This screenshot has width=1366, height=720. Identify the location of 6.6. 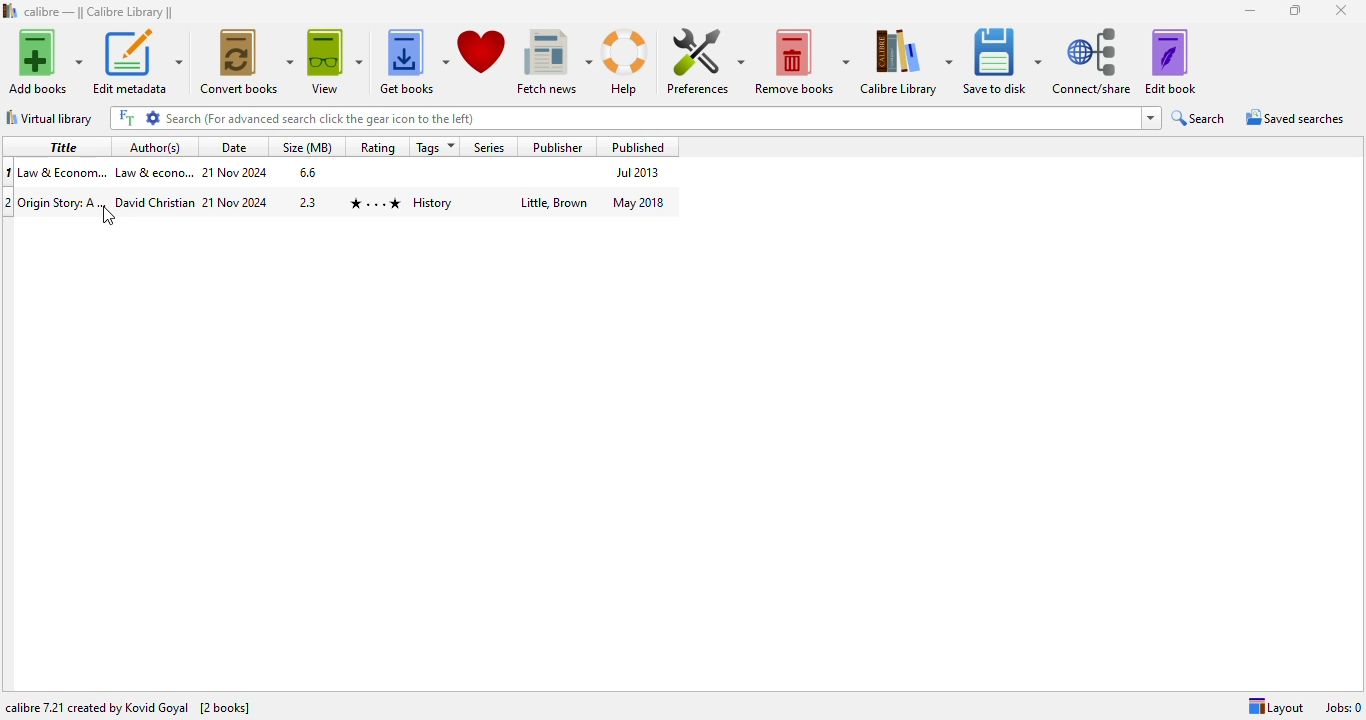
(306, 171).